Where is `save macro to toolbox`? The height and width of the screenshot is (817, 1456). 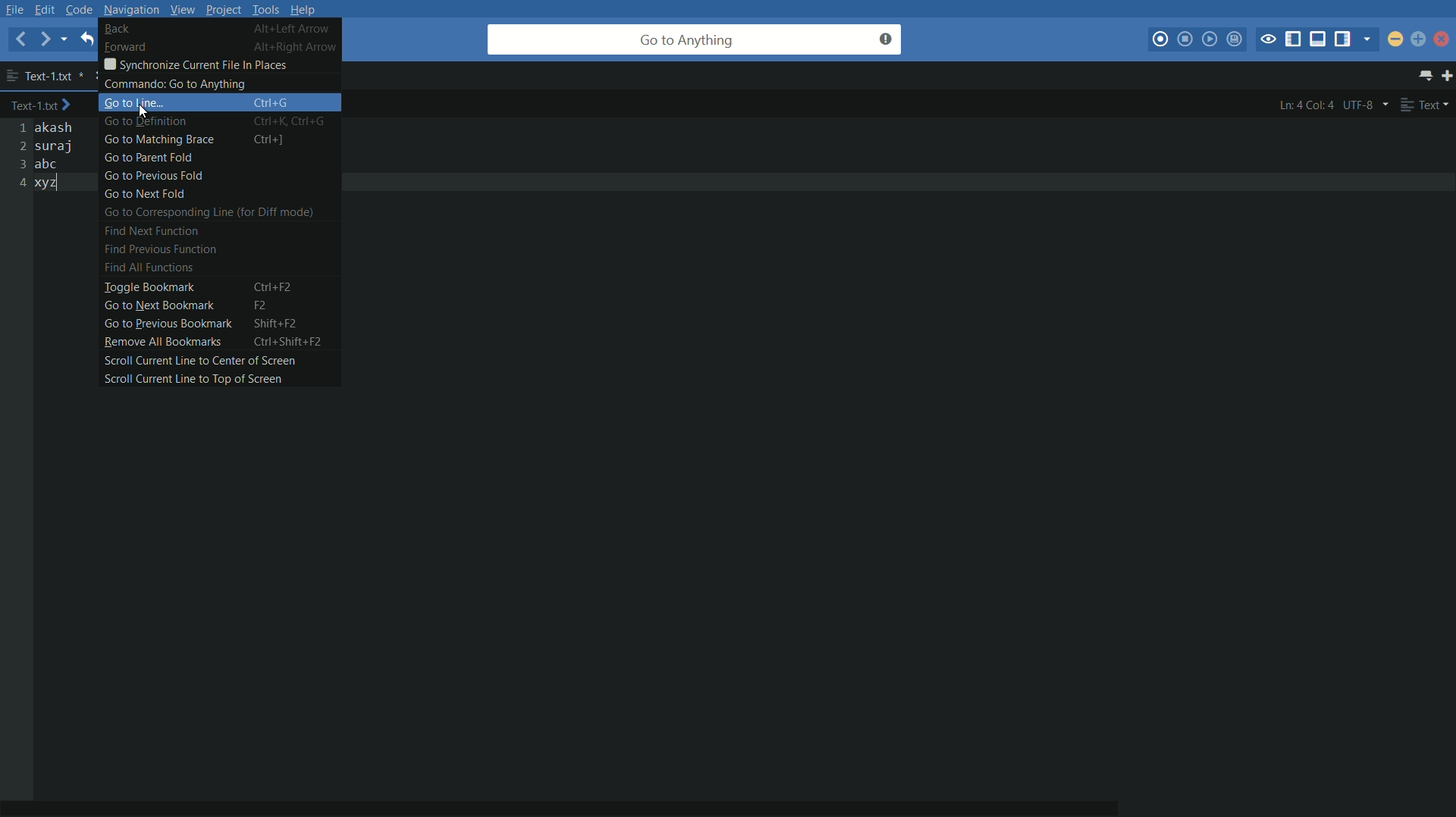 save macro to toolbox is located at coordinates (1236, 41).